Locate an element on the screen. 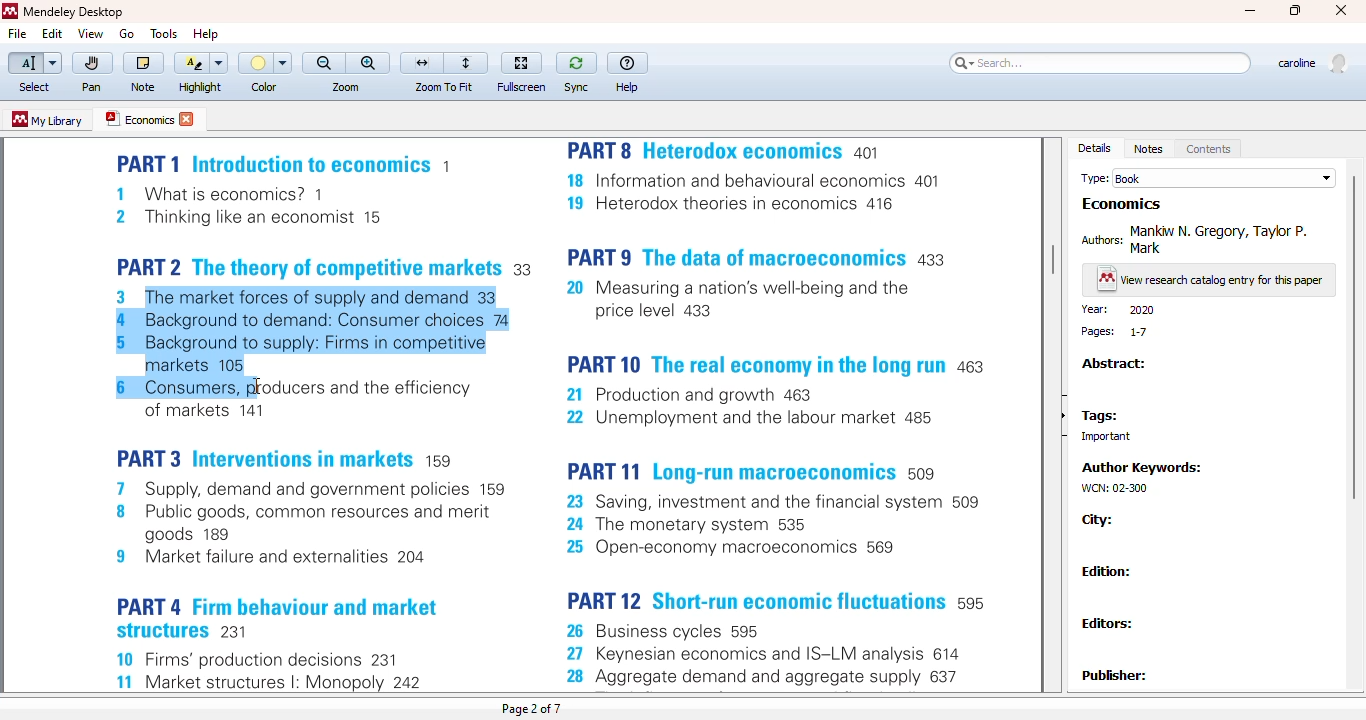 The height and width of the screenshot is (720, 1366). note is located at coordinates (143, 87).